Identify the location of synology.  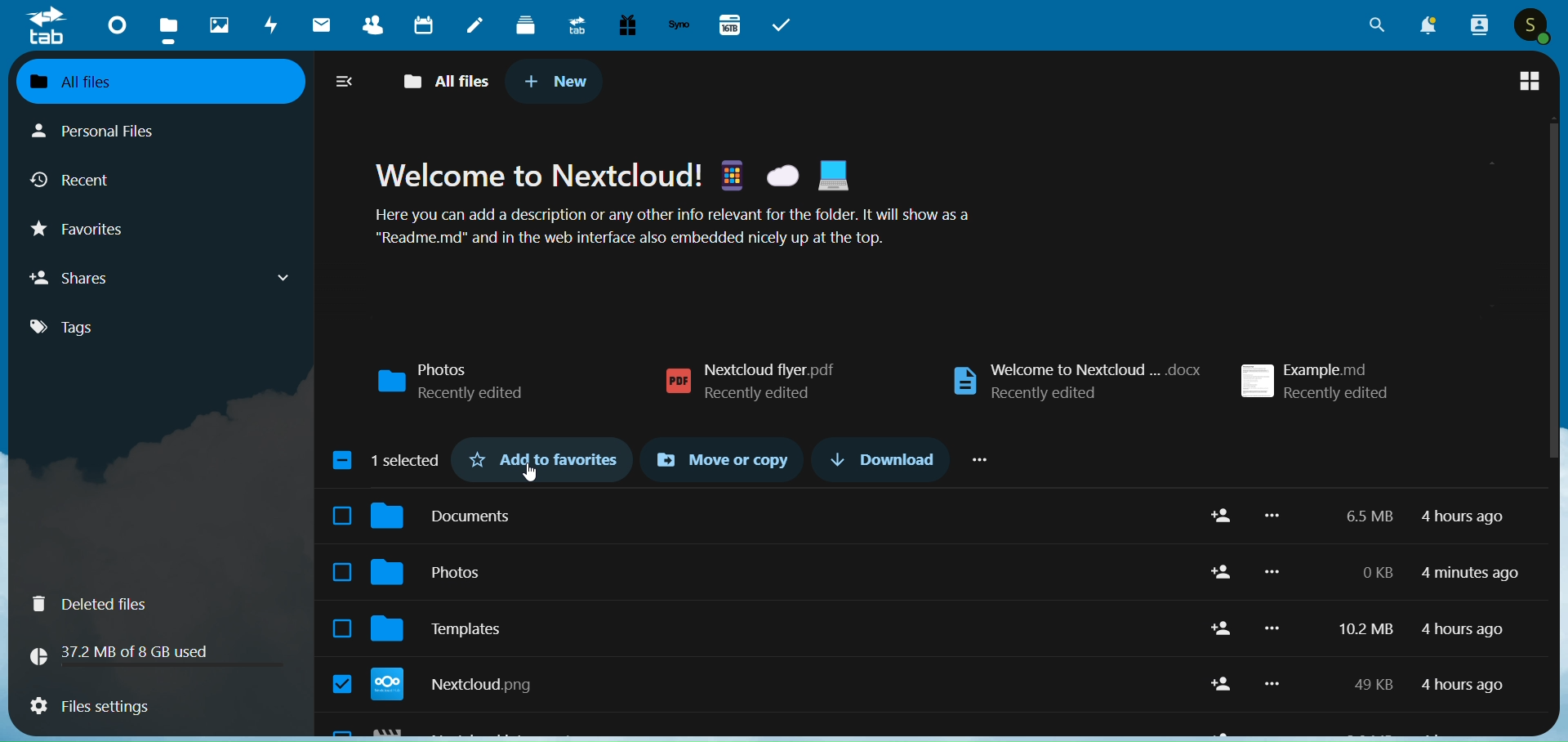
(679, 27).